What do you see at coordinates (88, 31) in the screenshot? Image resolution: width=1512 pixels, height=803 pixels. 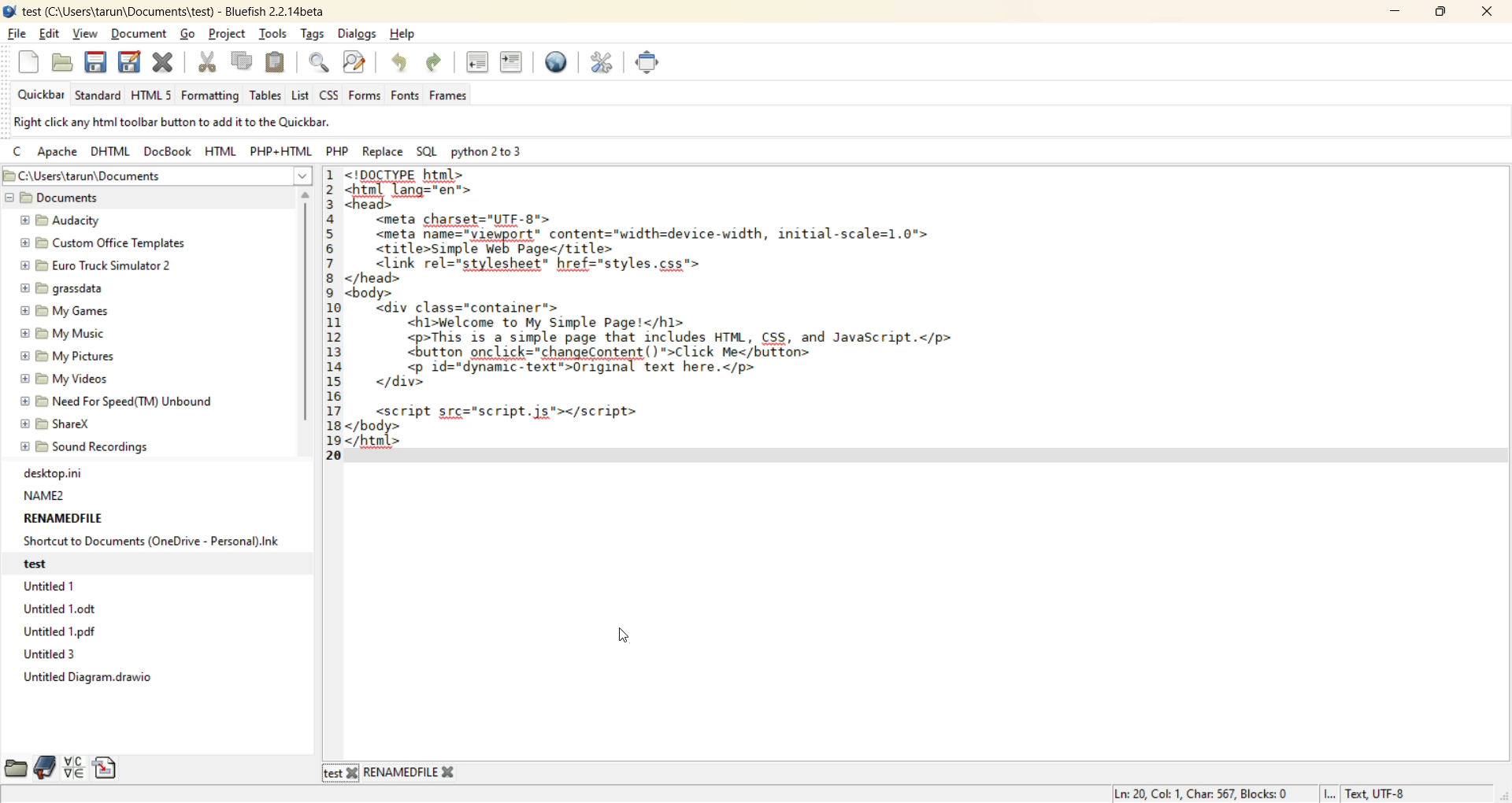 I see `view` at bounding box center [88, 31].